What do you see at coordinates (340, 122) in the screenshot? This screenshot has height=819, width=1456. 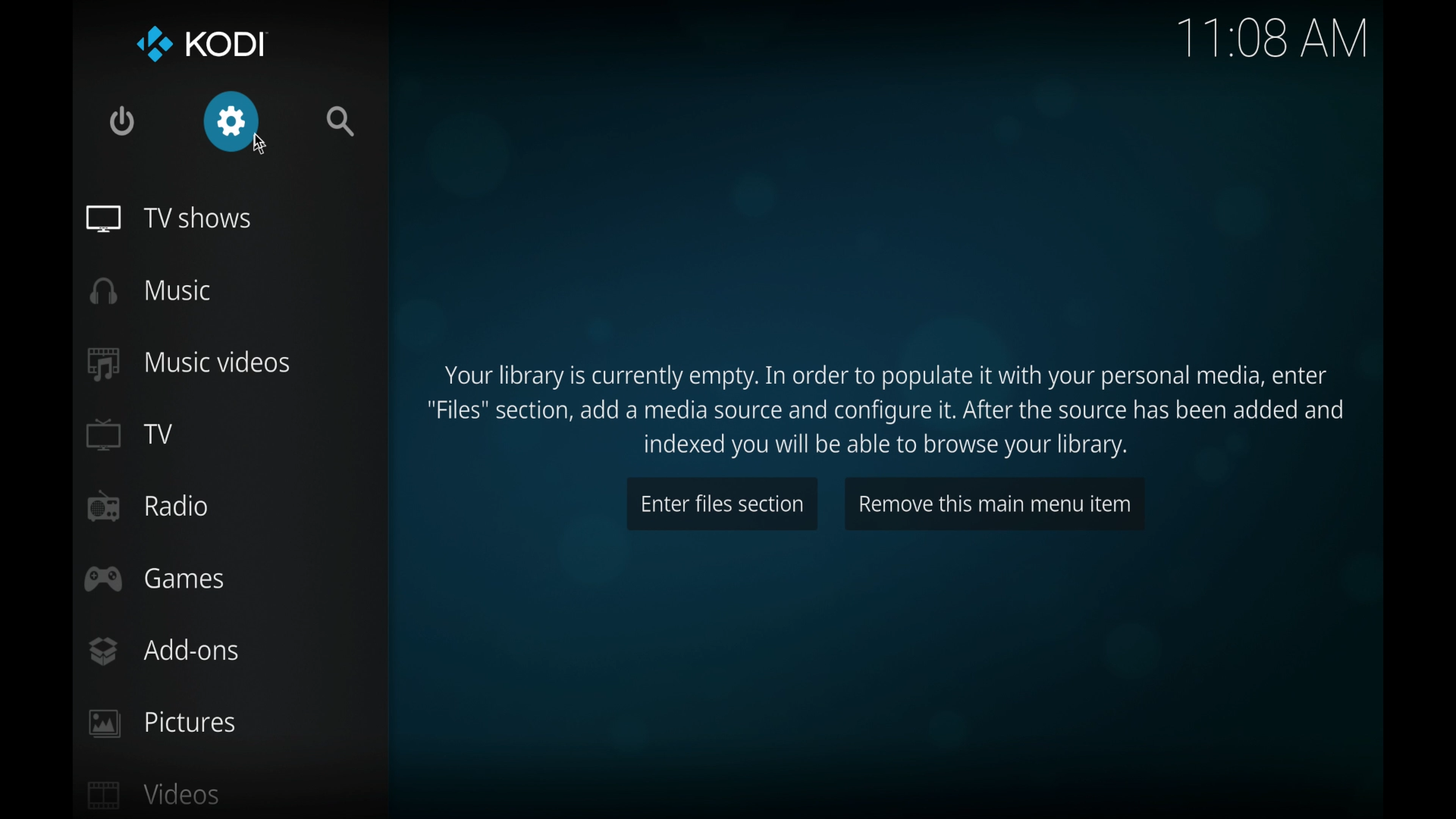 I see `search` at bounding box center [340, 122].